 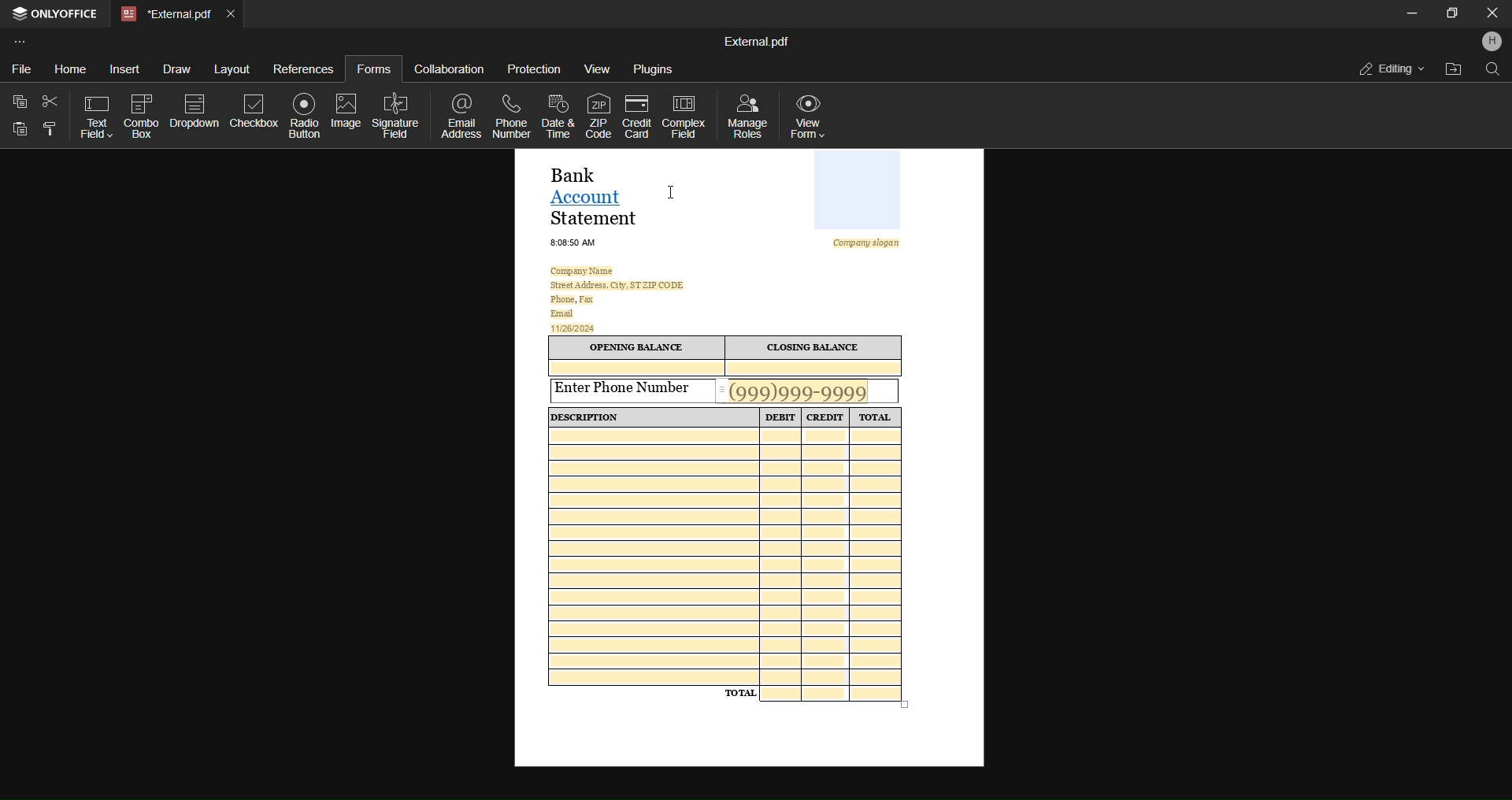 I want to click on text field, so click(x=91, y=115).